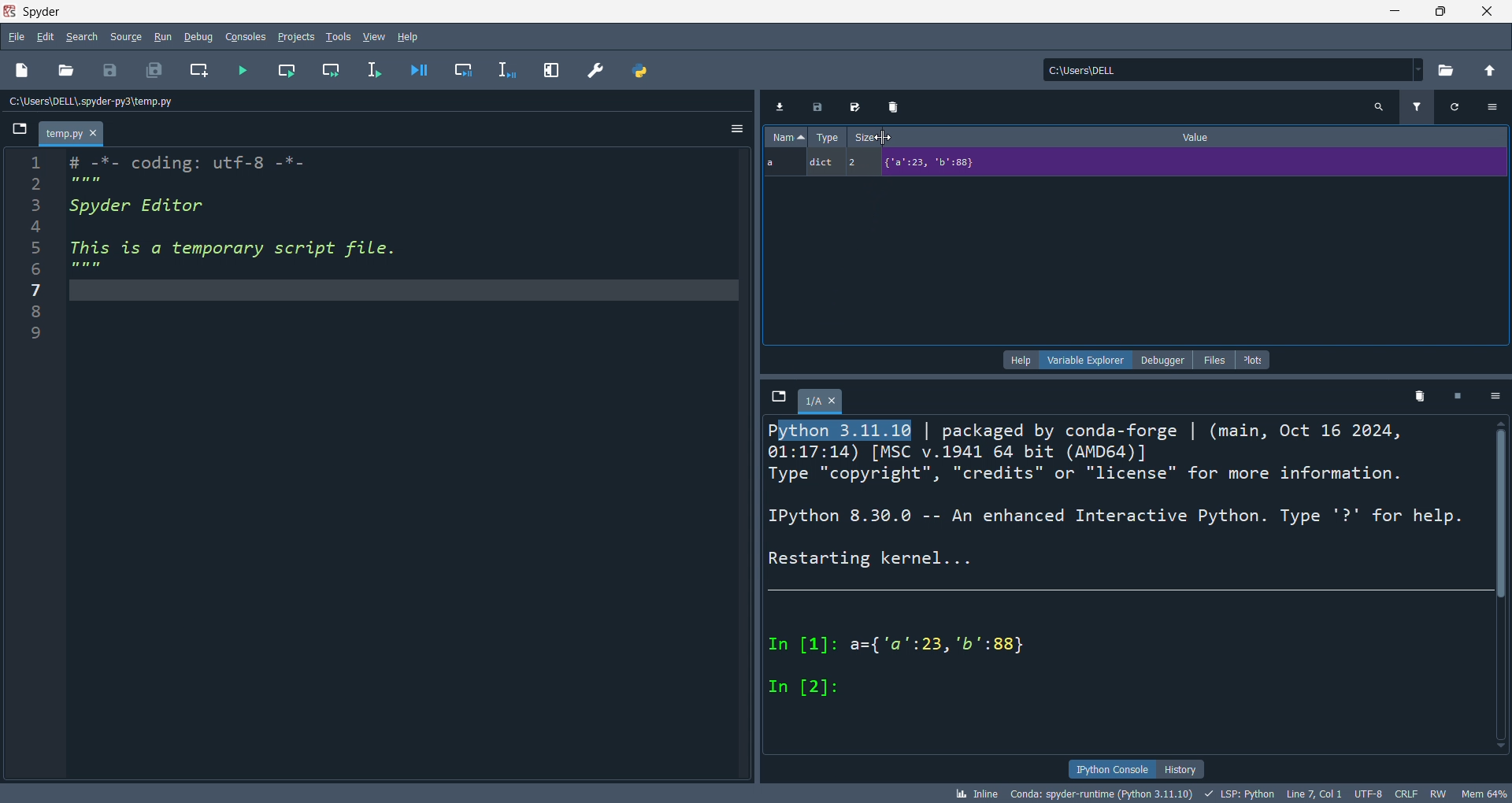 This screenshot has width=1512, height=803. What do you see at coordinates (1139, 166) in the screenshot?
I see `data` at bounding box center [1139, 166].